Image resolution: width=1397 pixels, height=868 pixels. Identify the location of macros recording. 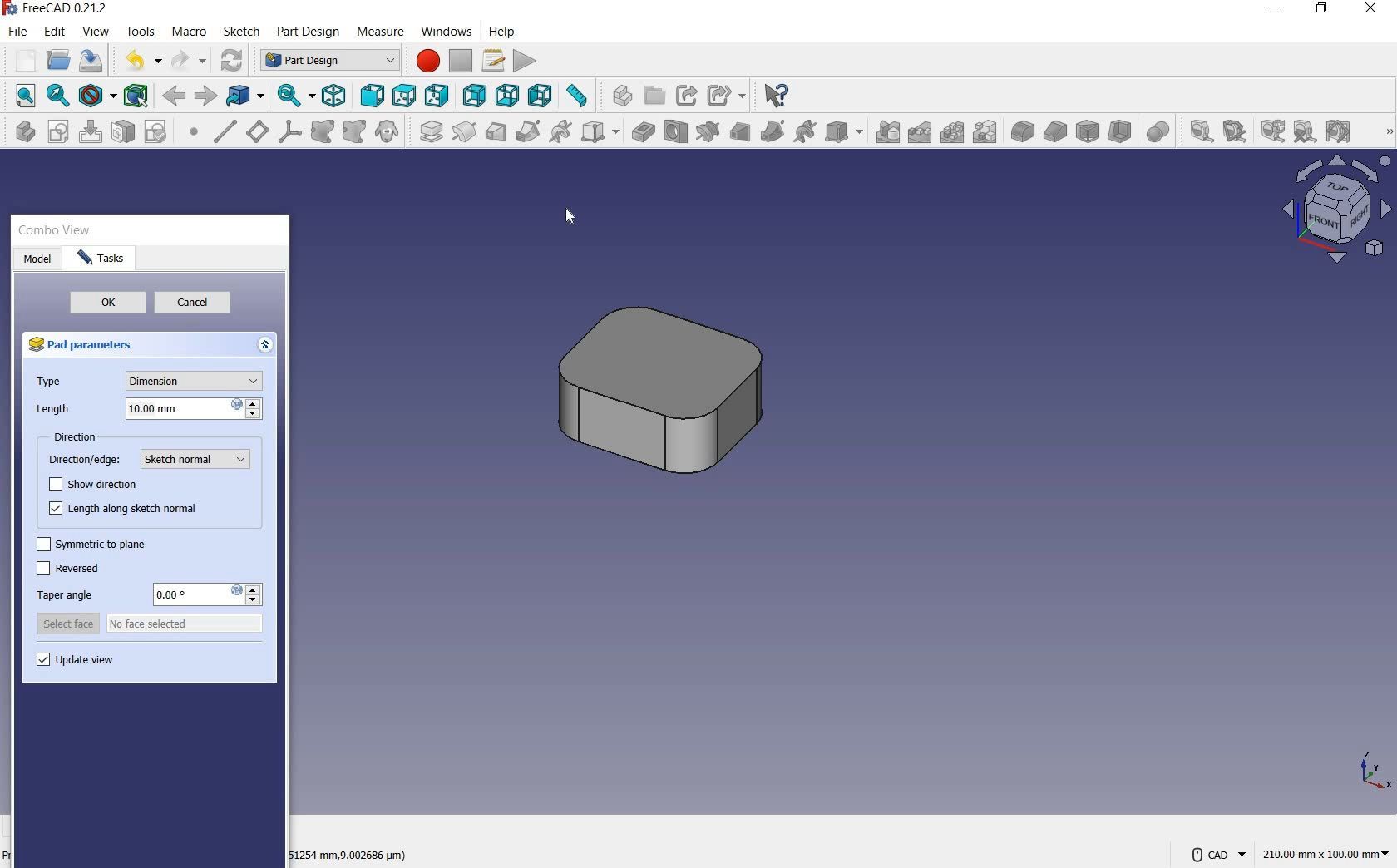
(424, 62).